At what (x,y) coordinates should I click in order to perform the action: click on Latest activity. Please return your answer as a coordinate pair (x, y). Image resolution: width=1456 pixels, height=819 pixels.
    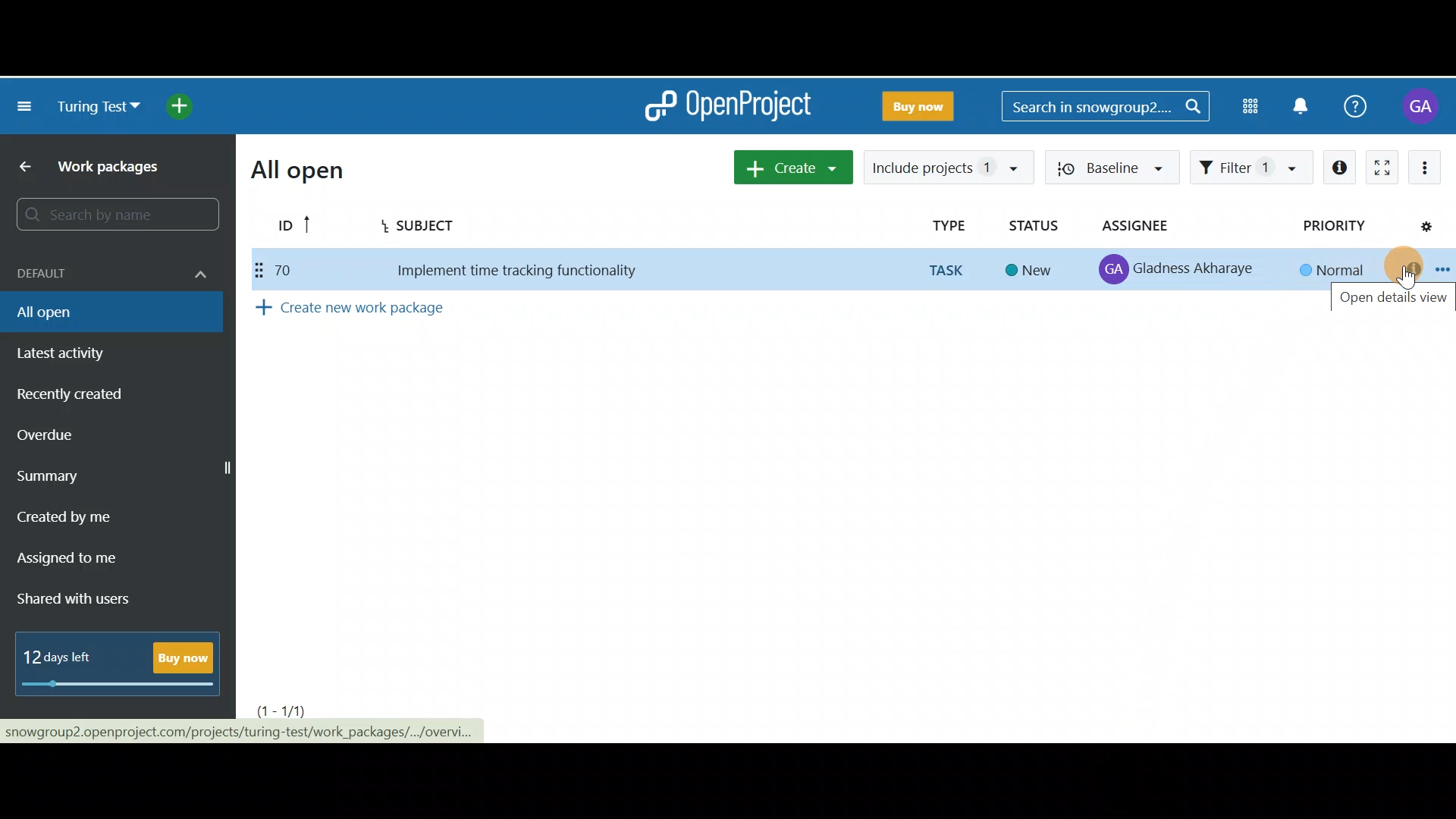
    Looking at the image, I should click on (83, 354).